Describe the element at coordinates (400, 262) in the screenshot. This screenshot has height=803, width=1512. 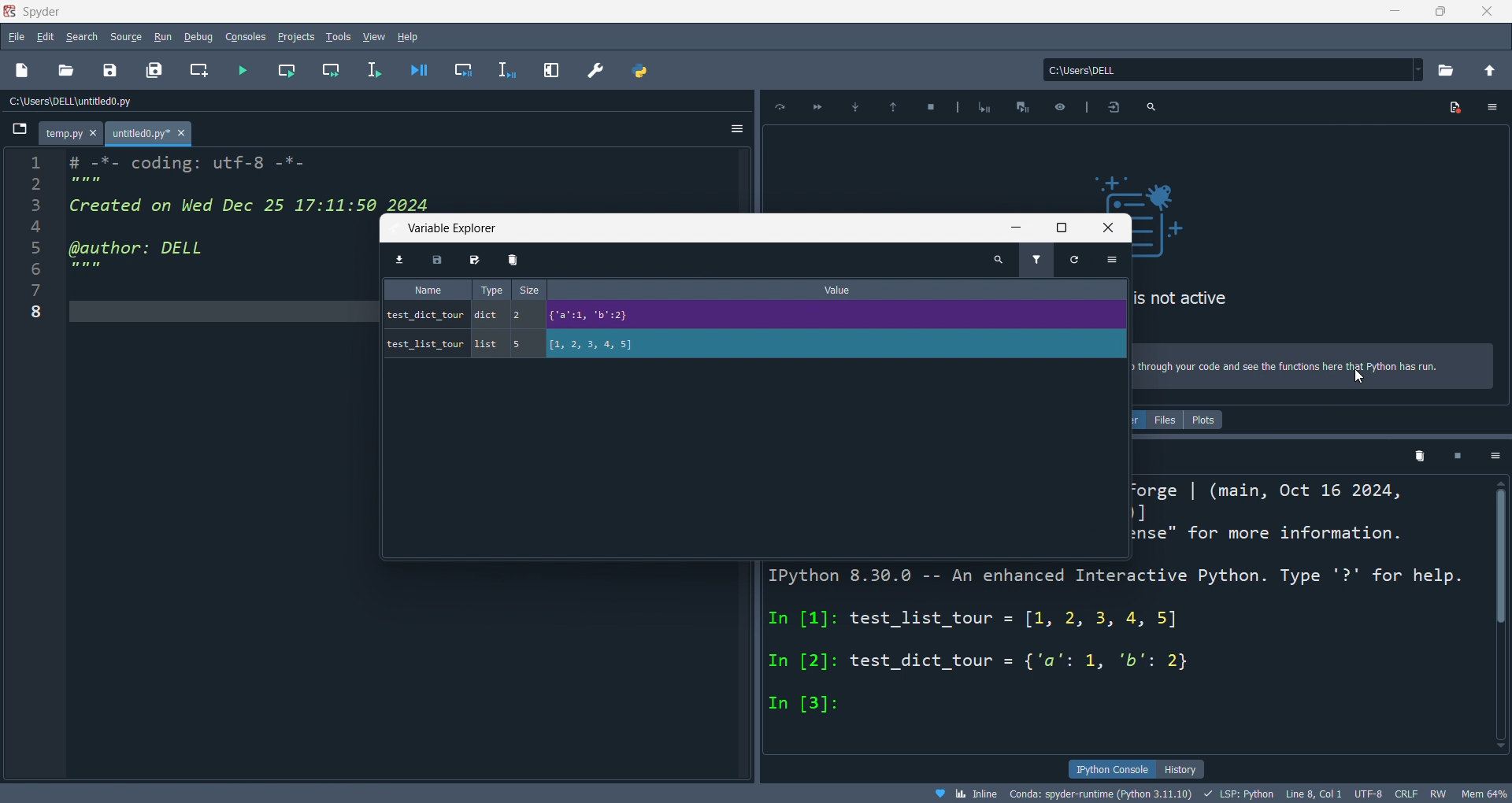
I see `import` at that location.